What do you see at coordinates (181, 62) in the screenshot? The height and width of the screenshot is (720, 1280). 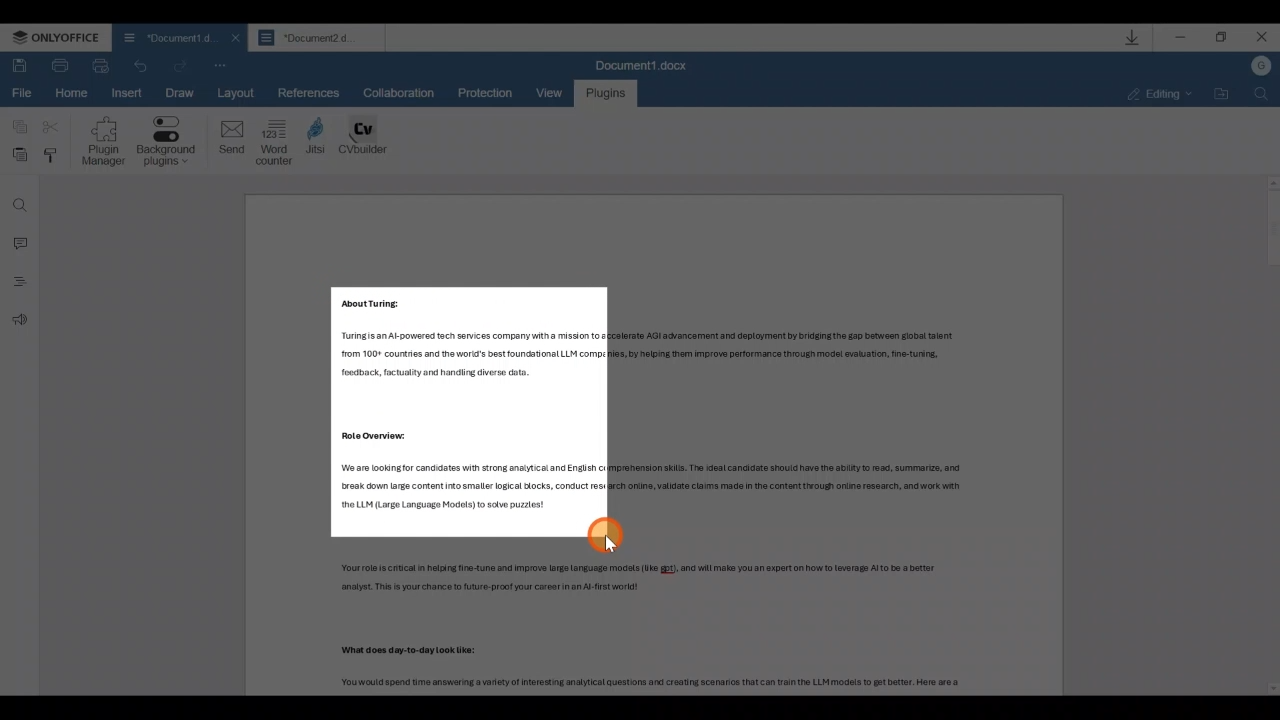 I see `Undo` at bounding box center [181, 62].